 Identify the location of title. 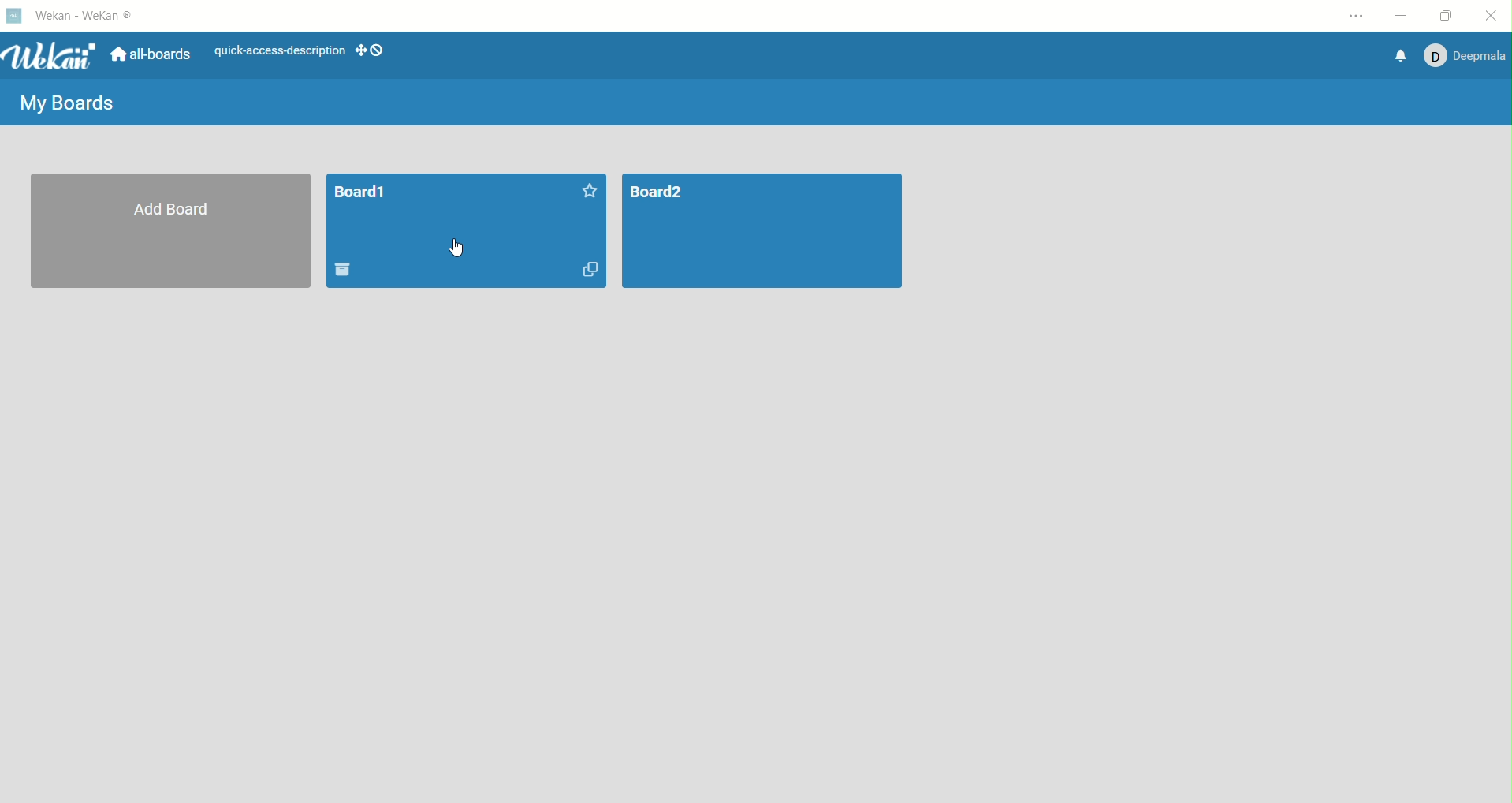
(364, 194).